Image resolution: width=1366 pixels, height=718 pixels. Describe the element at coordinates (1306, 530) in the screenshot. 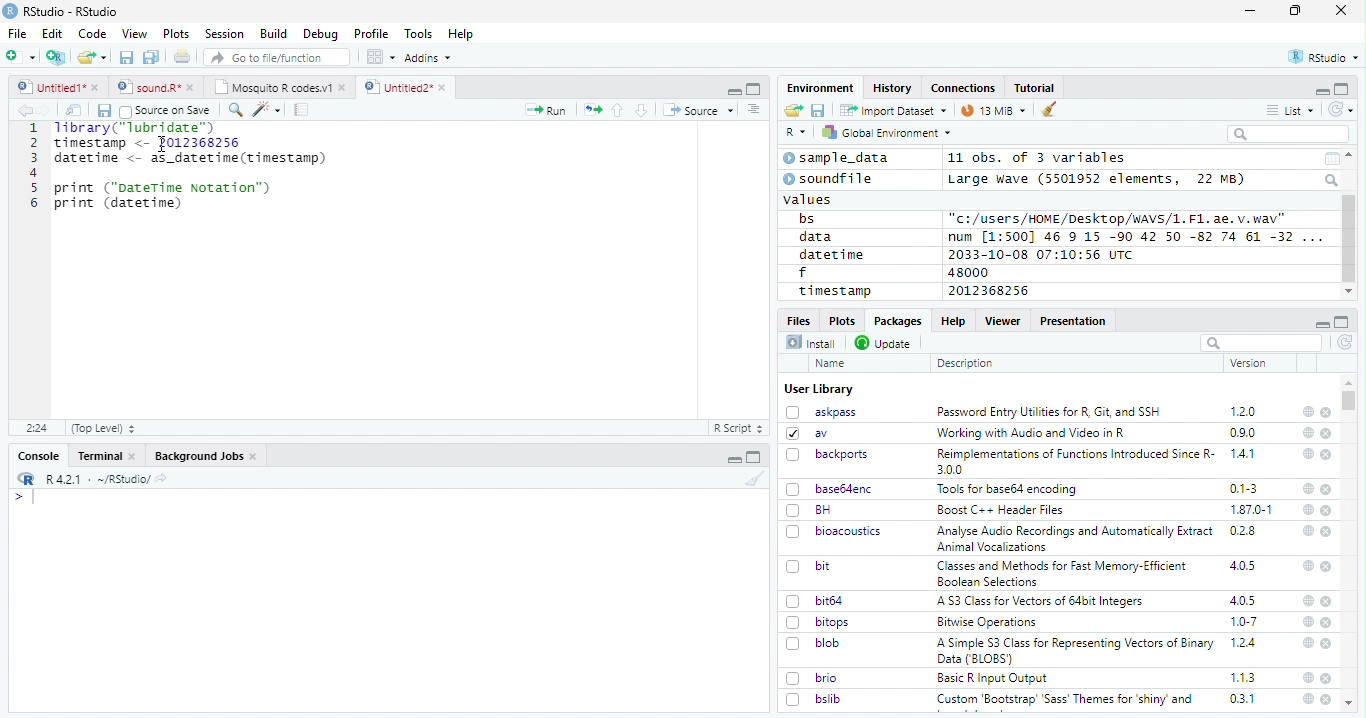

I see `help` at that location.